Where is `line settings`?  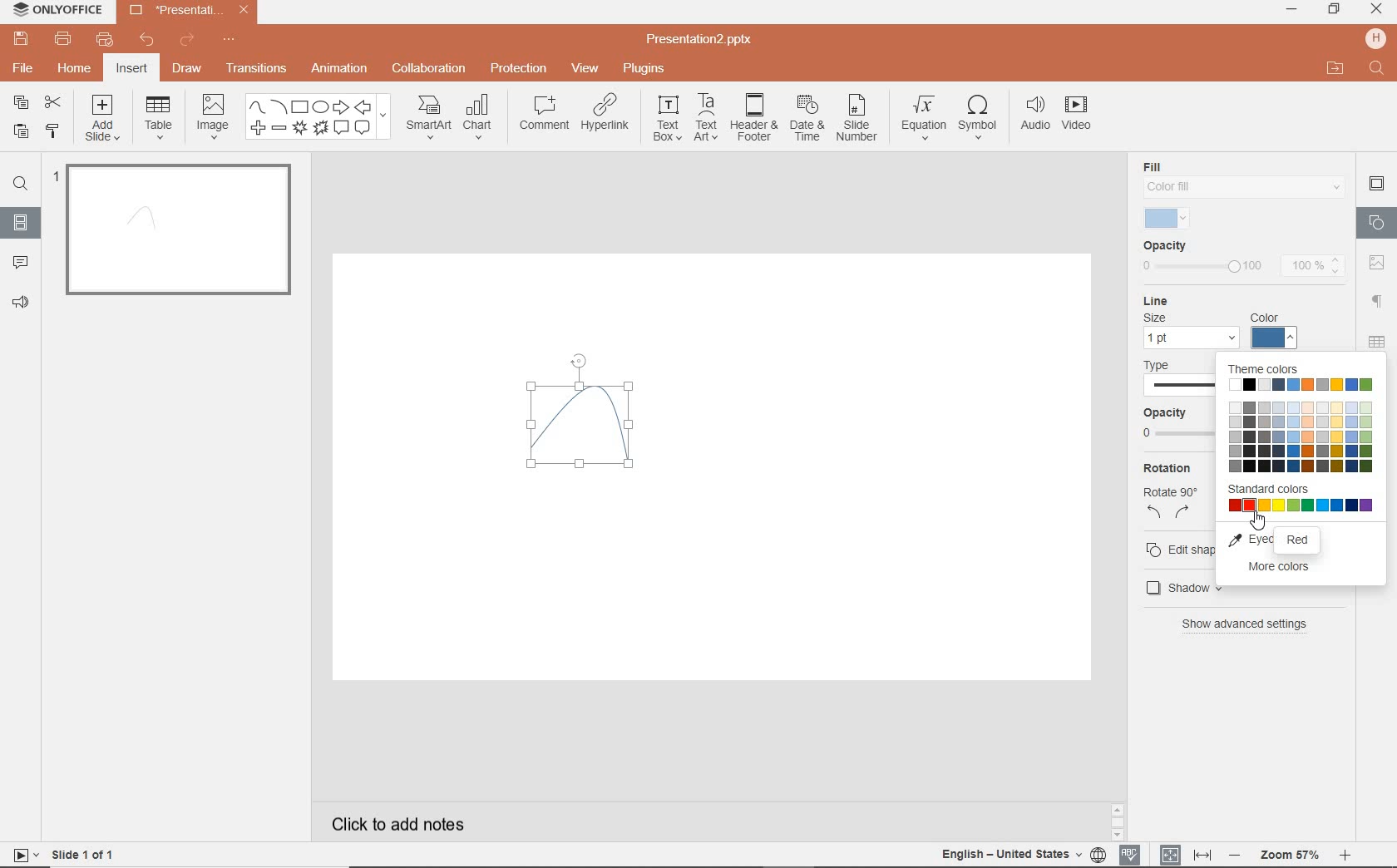 line settings is located at coordinates (1187, 321).